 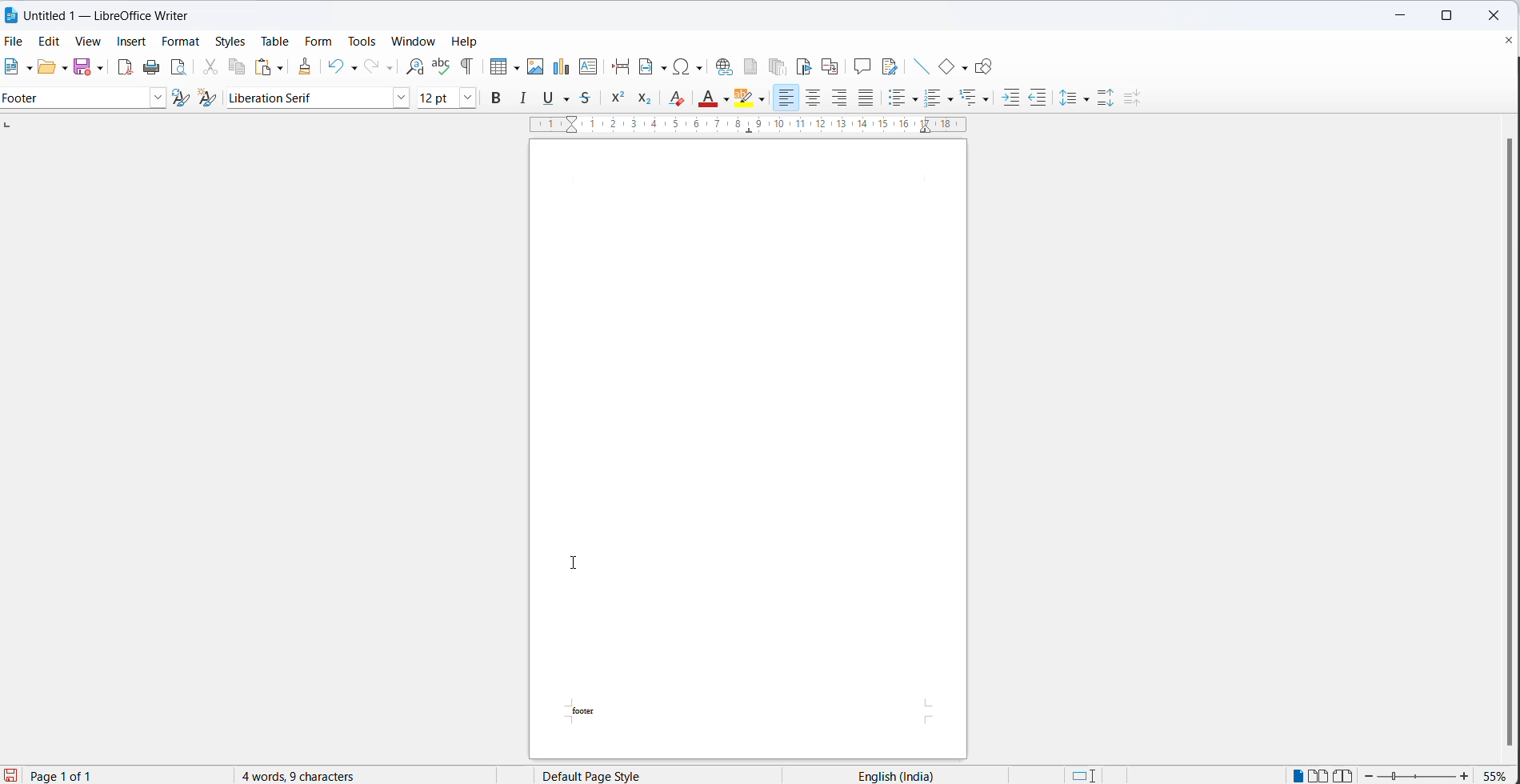 What do you see at coordinates (746, 98) in the screenshot?
I see `character highlighting icon` at bounding box center [746, 98].